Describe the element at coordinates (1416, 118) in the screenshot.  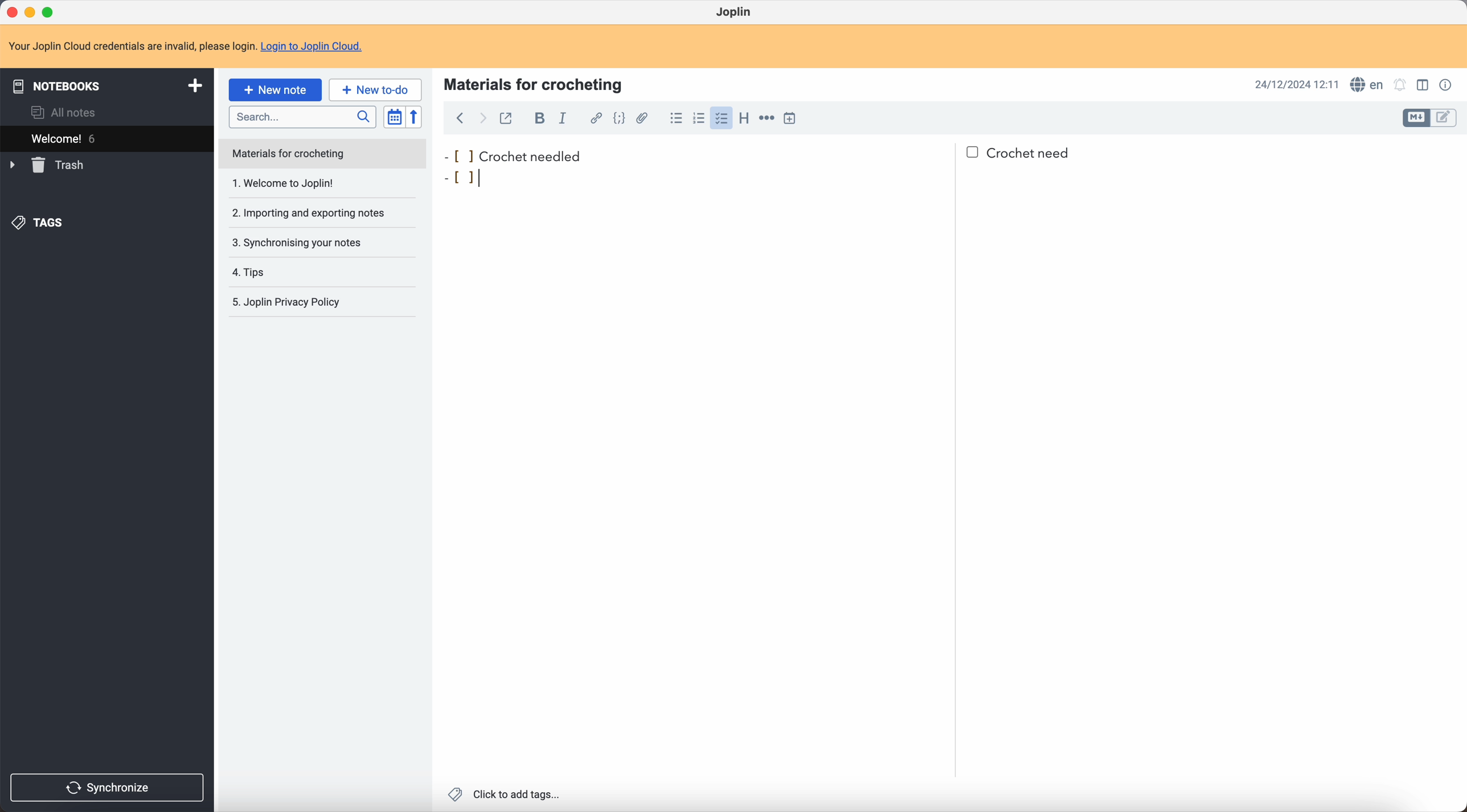
I see `toggle edit layout` at that location.